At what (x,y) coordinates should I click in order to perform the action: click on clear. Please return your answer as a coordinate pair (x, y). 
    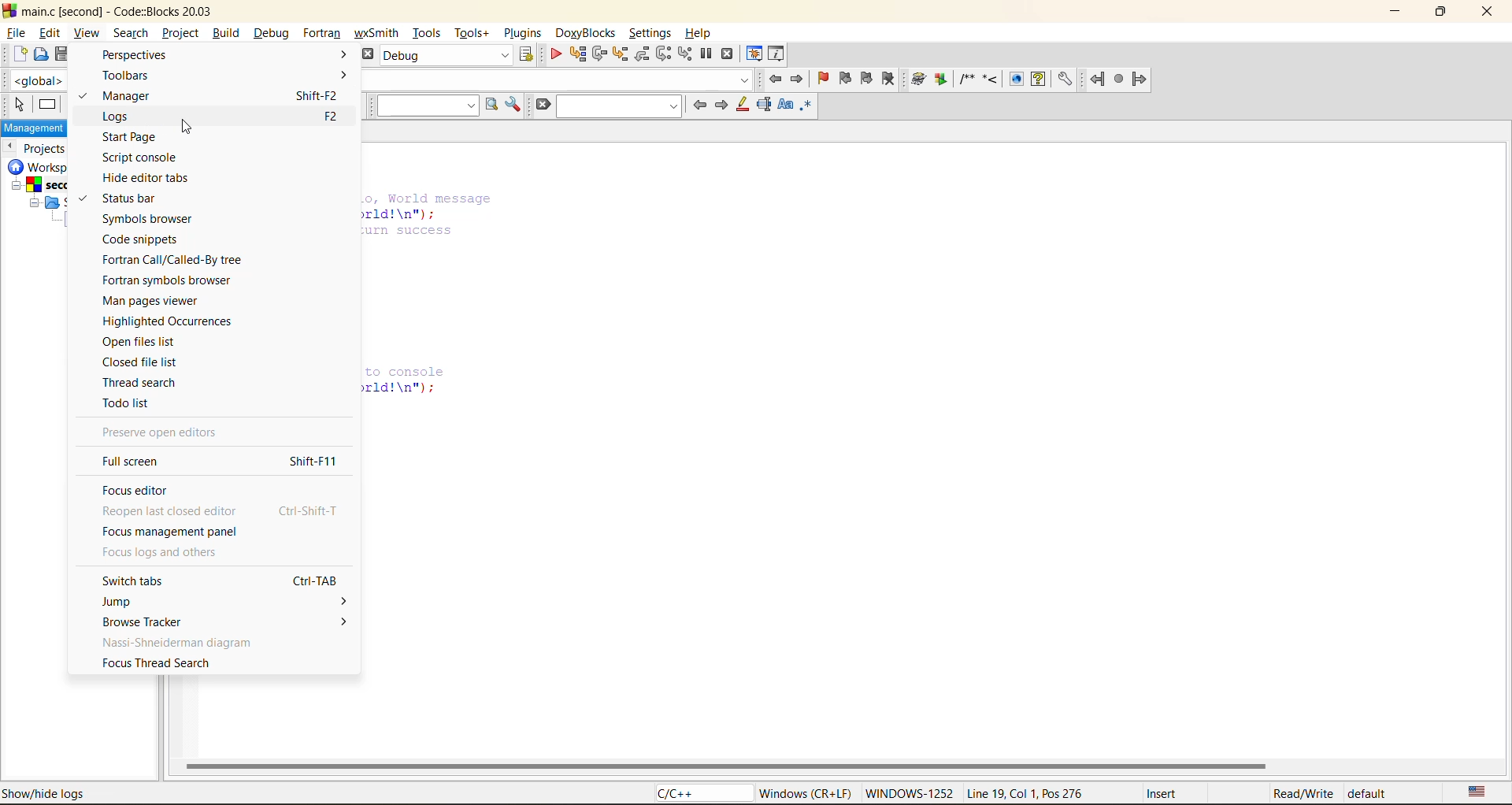
    Looking at the image, I should click on (539, 106).